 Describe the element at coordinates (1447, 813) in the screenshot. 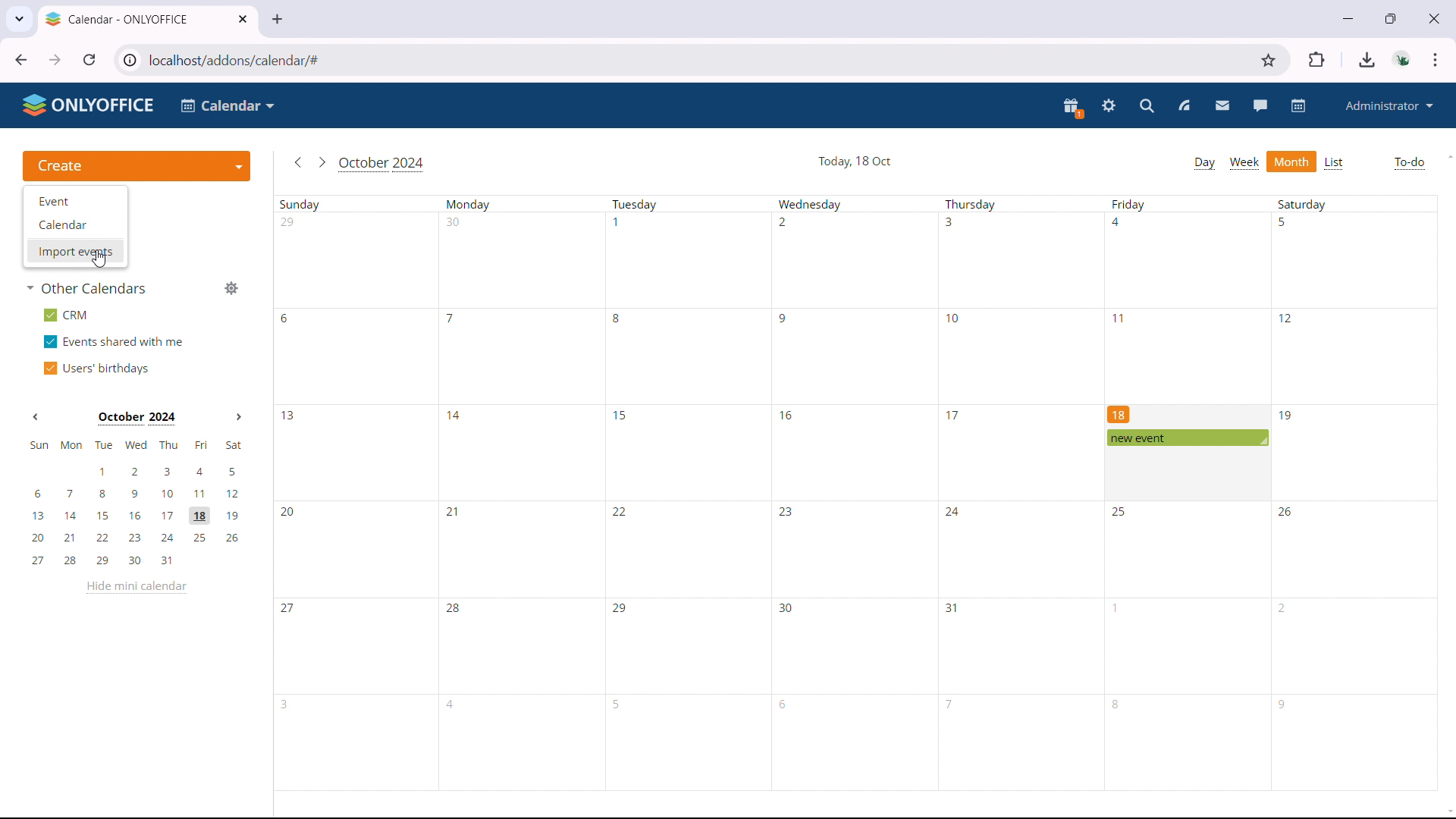

I see `scroll down` at that location.